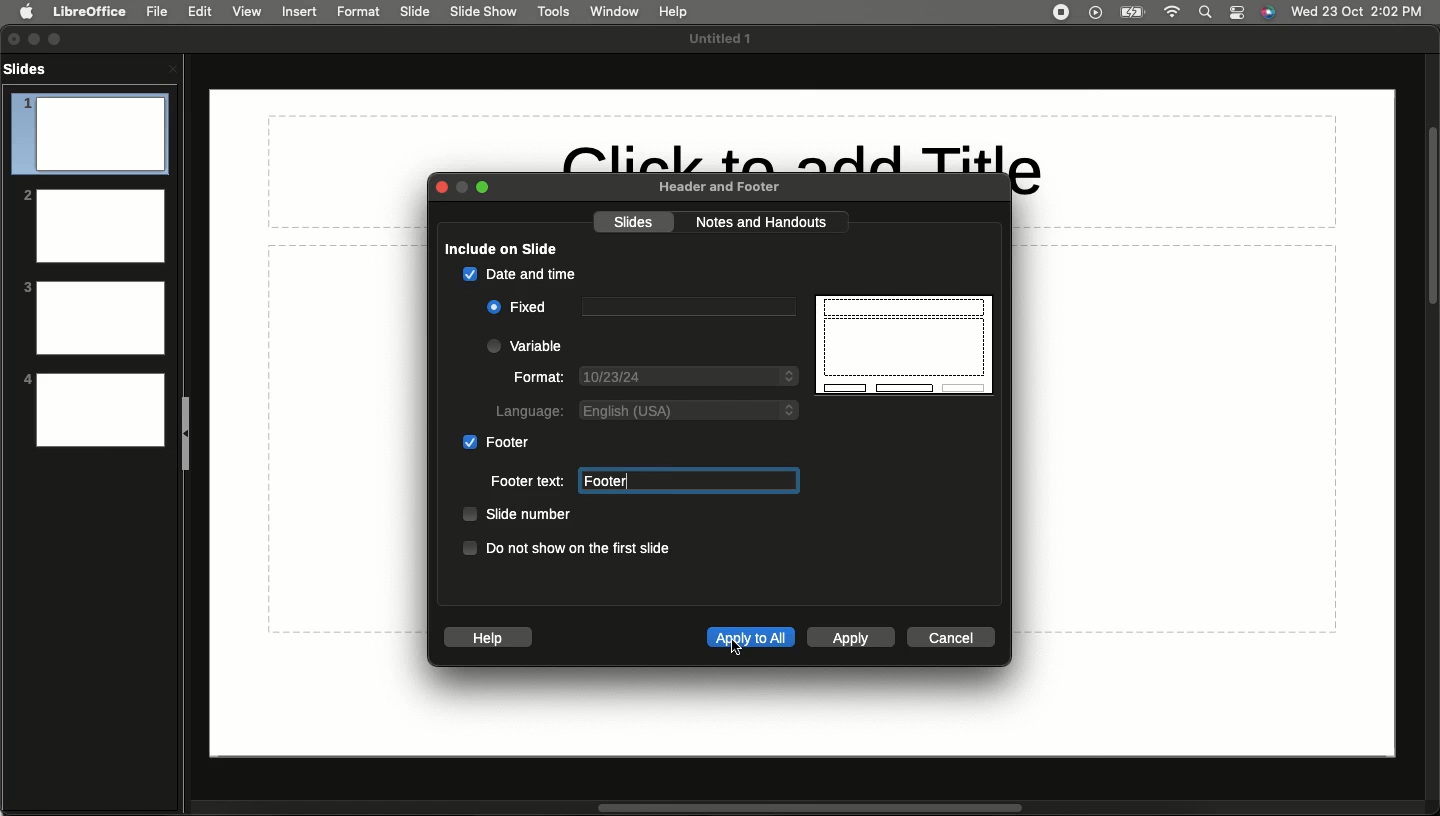  I want to click on Cancel, so click(954, 638).